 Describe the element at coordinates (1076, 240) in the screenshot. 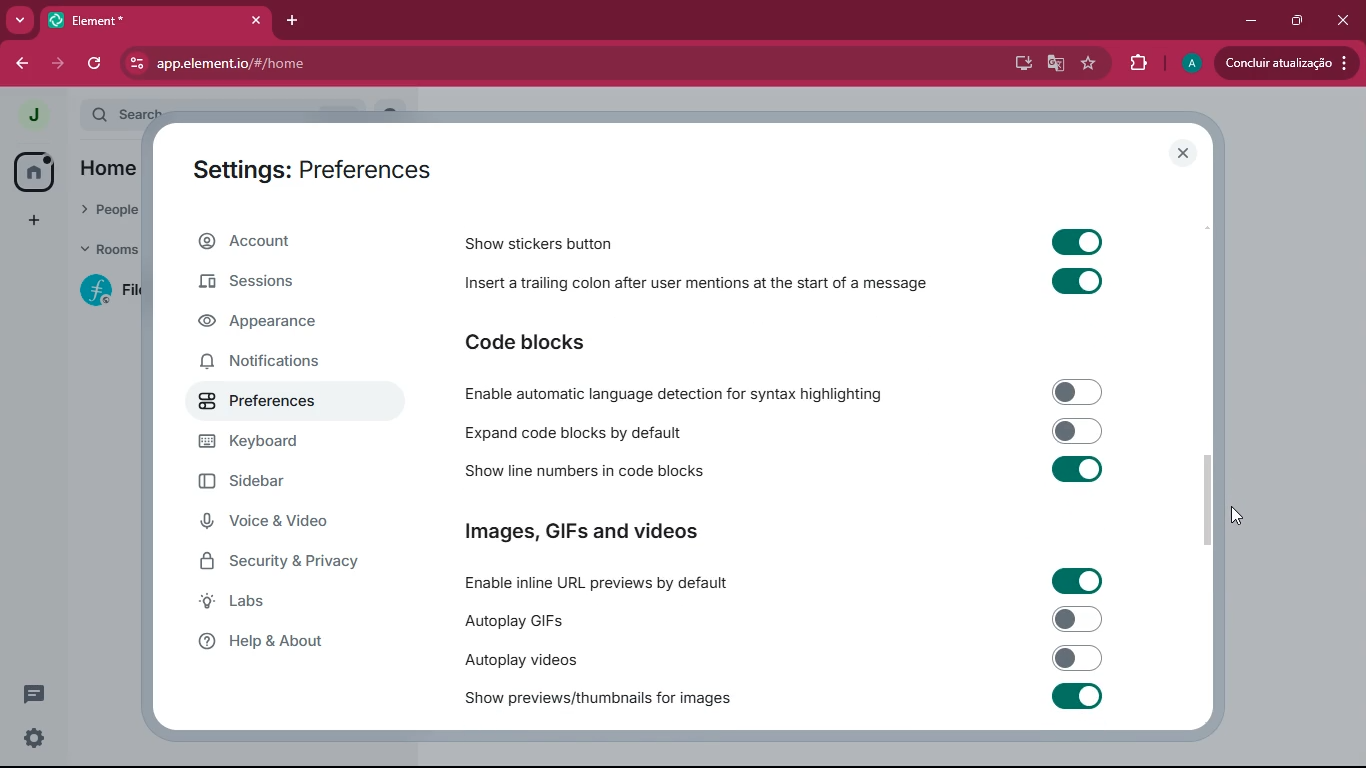

I see `` at that location.